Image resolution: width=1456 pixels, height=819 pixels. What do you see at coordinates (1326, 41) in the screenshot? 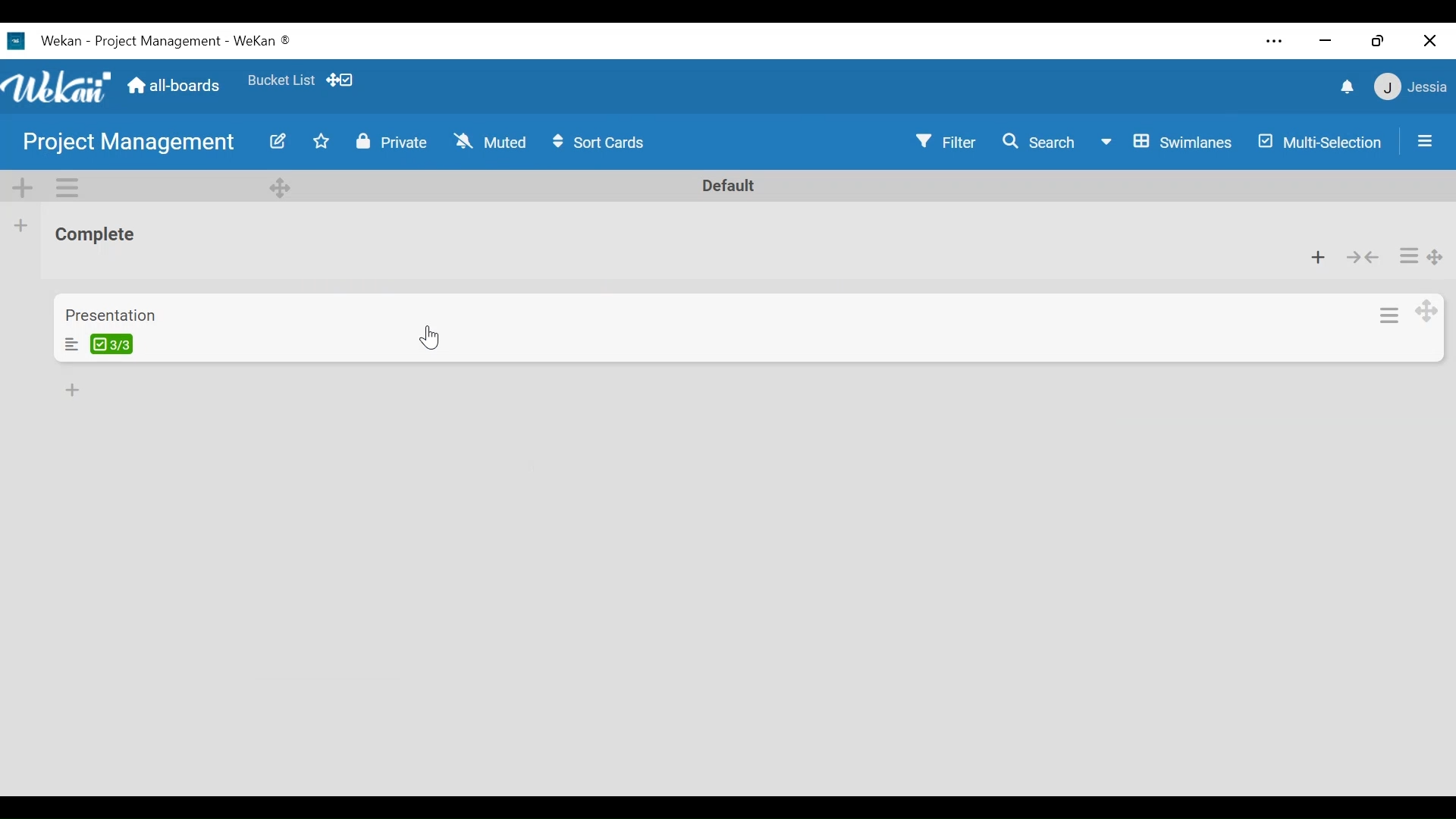
I see `minimize` at bounding box center [1326, 41].